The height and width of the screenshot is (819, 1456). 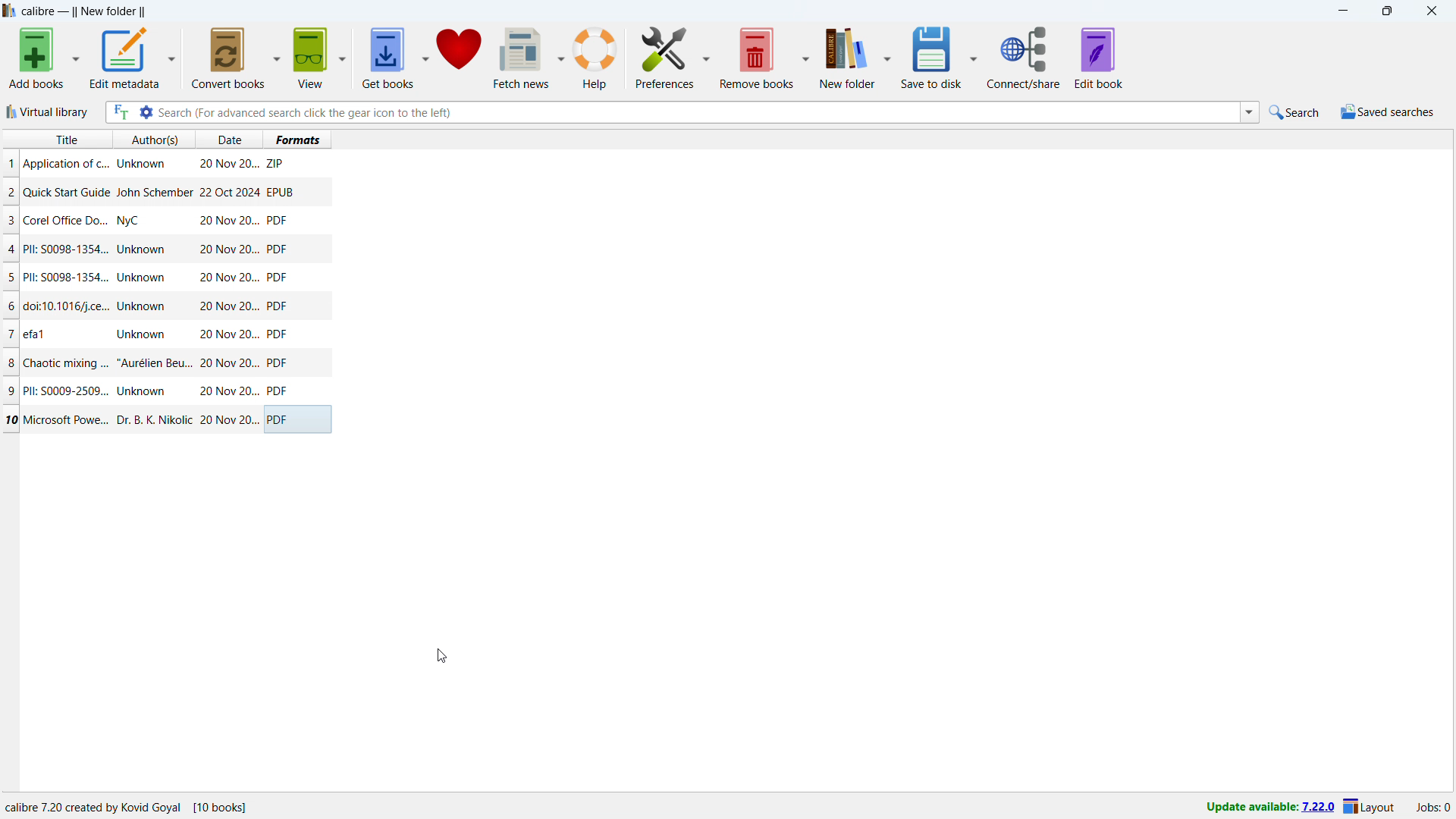 I want to click on 20 Nov 20..., so click(x=227, y=334).